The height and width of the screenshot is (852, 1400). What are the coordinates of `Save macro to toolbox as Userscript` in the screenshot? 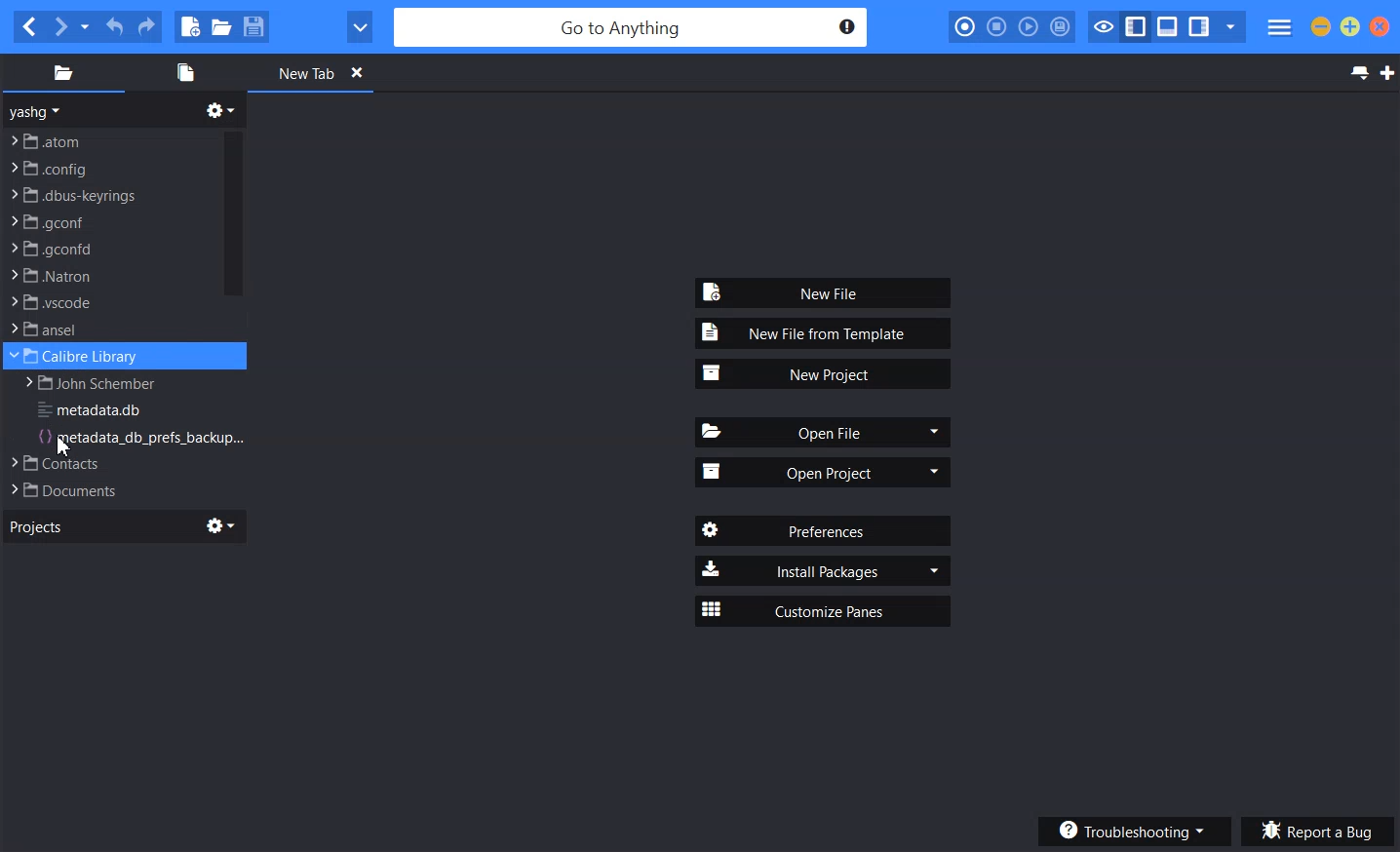 It's located at (1061, 26).